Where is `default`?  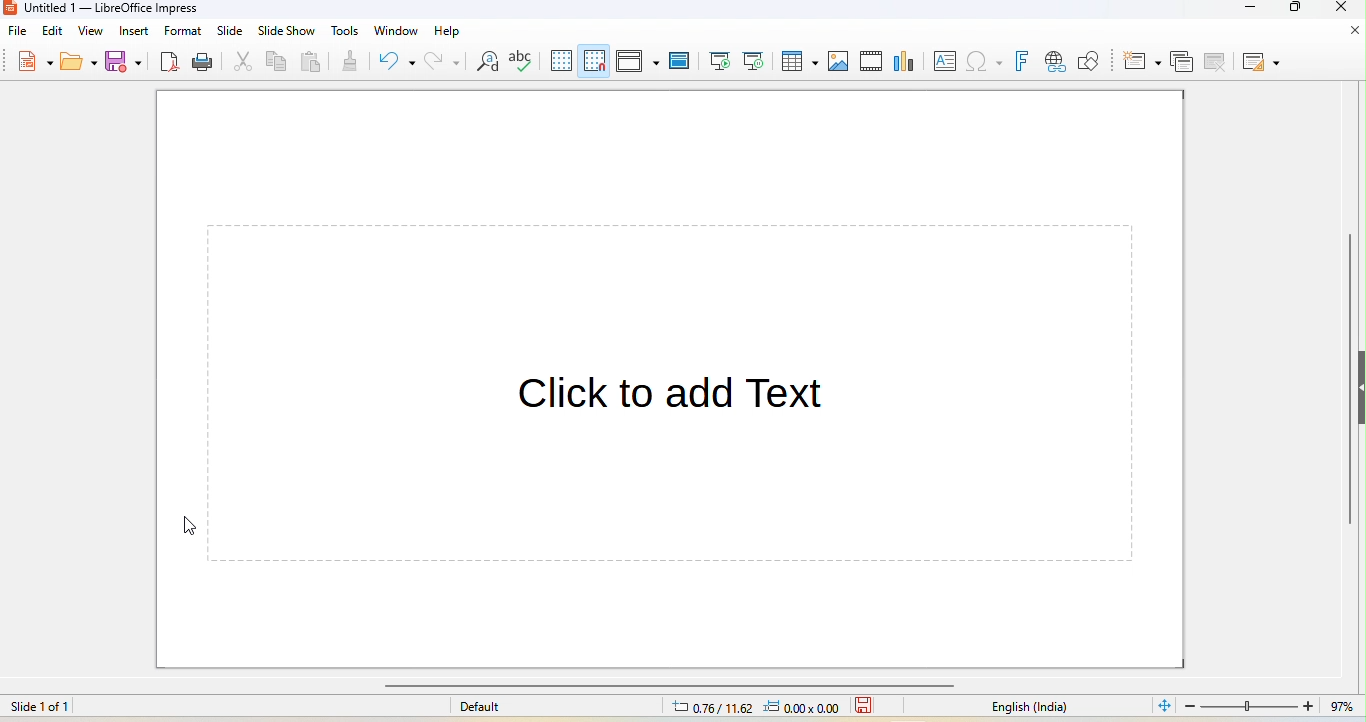 default is located at coordinates (480, 707).